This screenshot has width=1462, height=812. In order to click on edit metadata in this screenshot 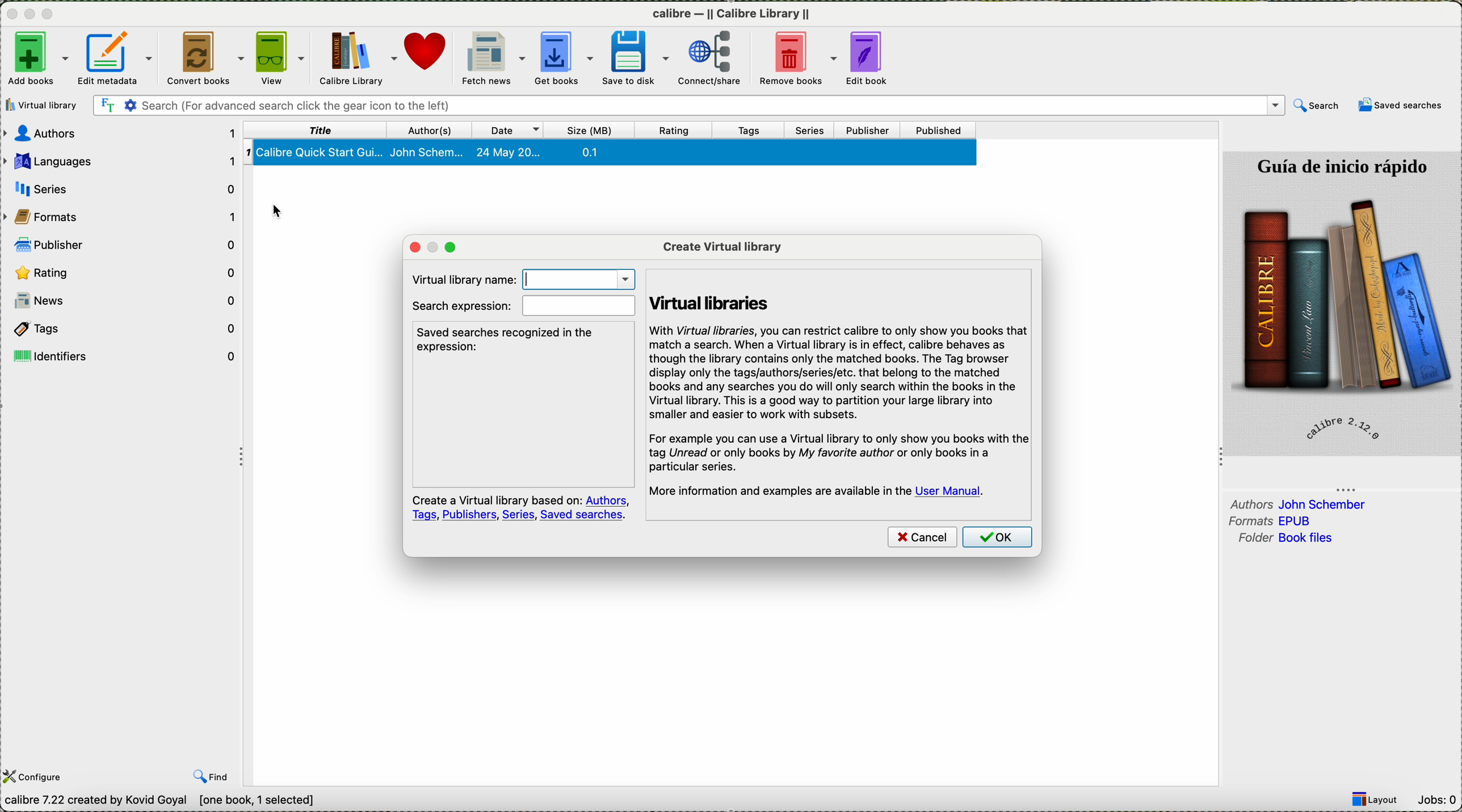, I will do `click(117, 58)`.